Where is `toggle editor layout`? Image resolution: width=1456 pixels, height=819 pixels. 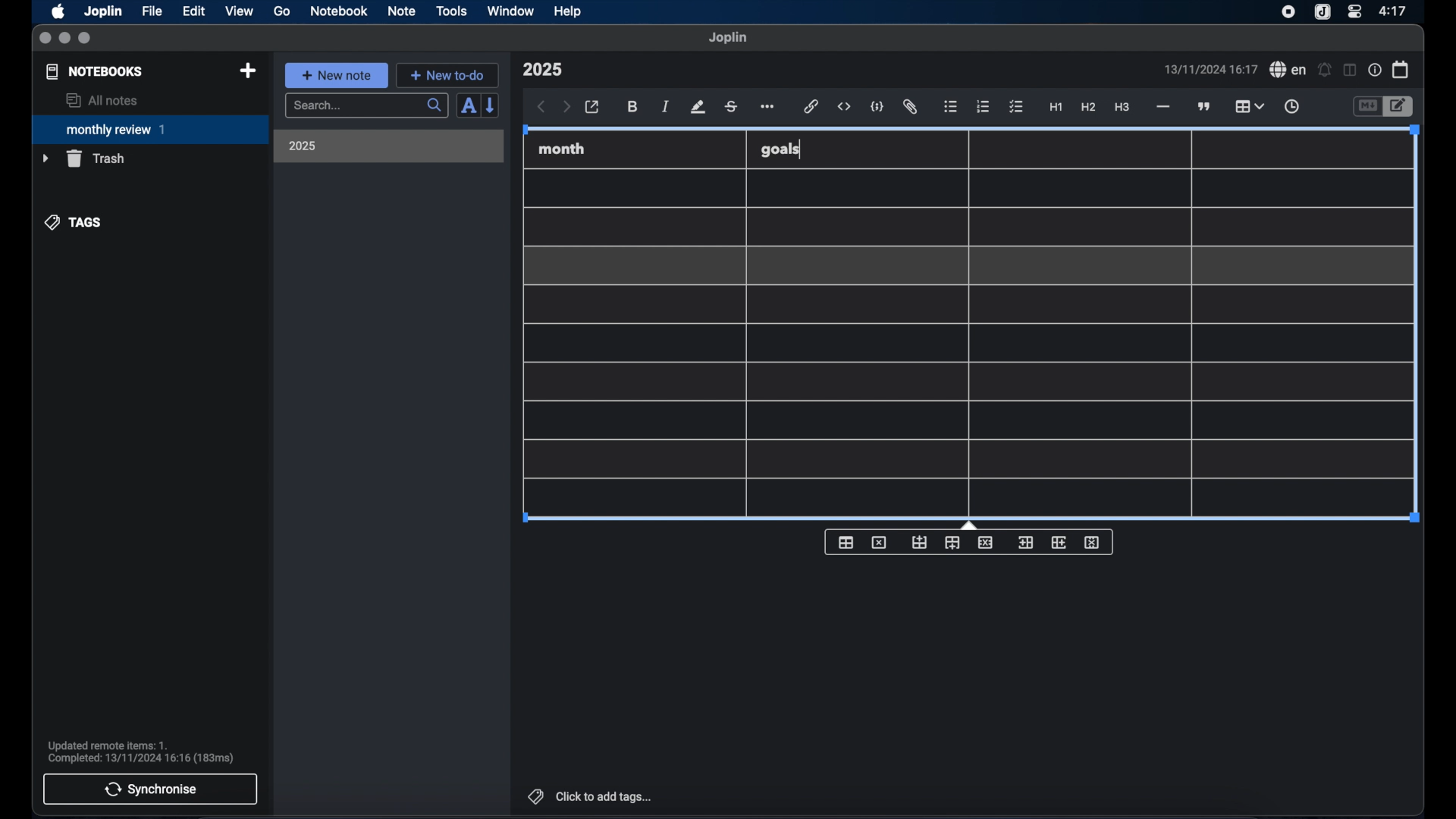 toggle editor layout is located at coordinates (1351, 70).